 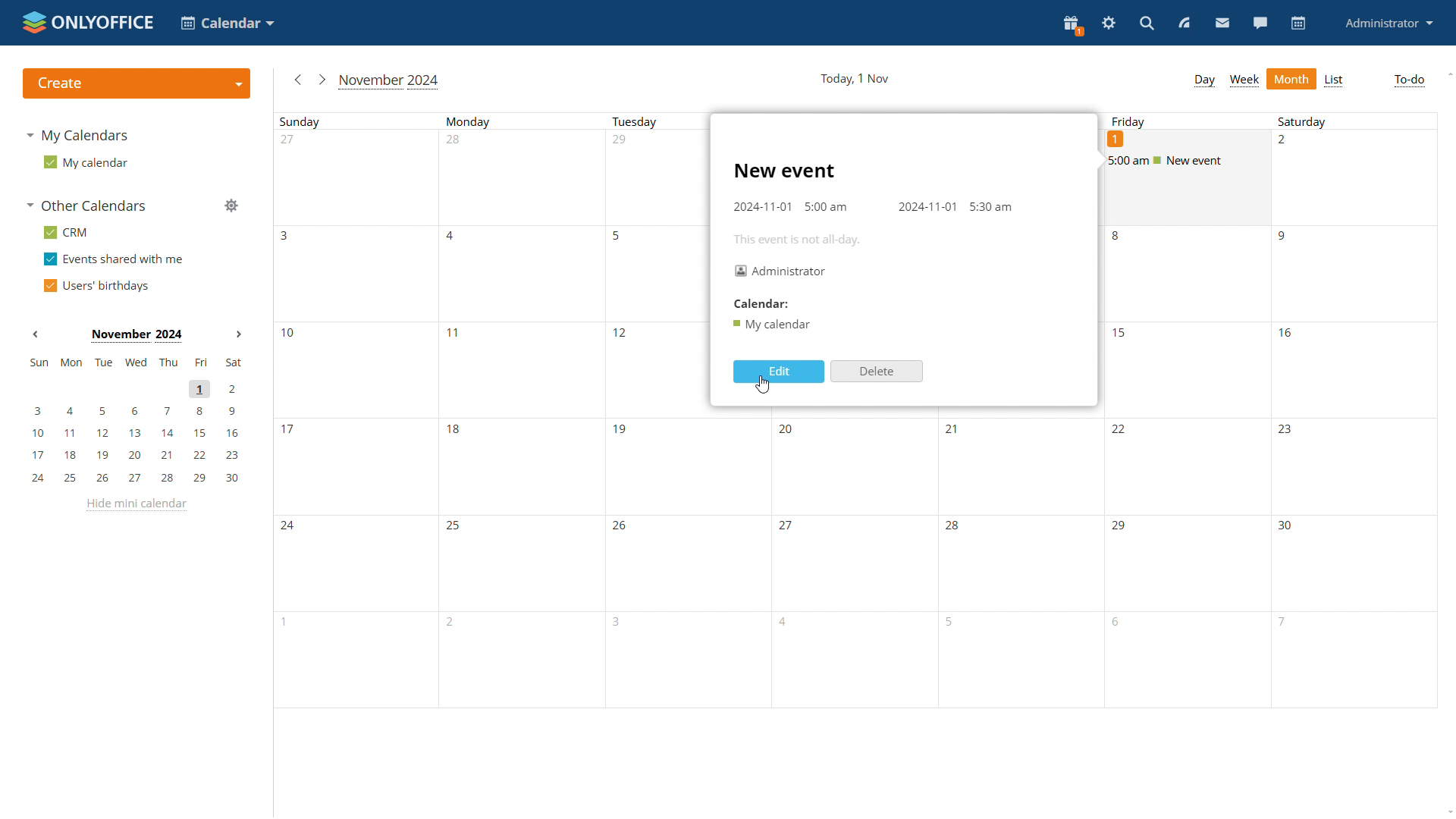 What do you see at coordinates (1221, 23) in the screenshot?
I see `mail` at bounding box center [1221, 23].